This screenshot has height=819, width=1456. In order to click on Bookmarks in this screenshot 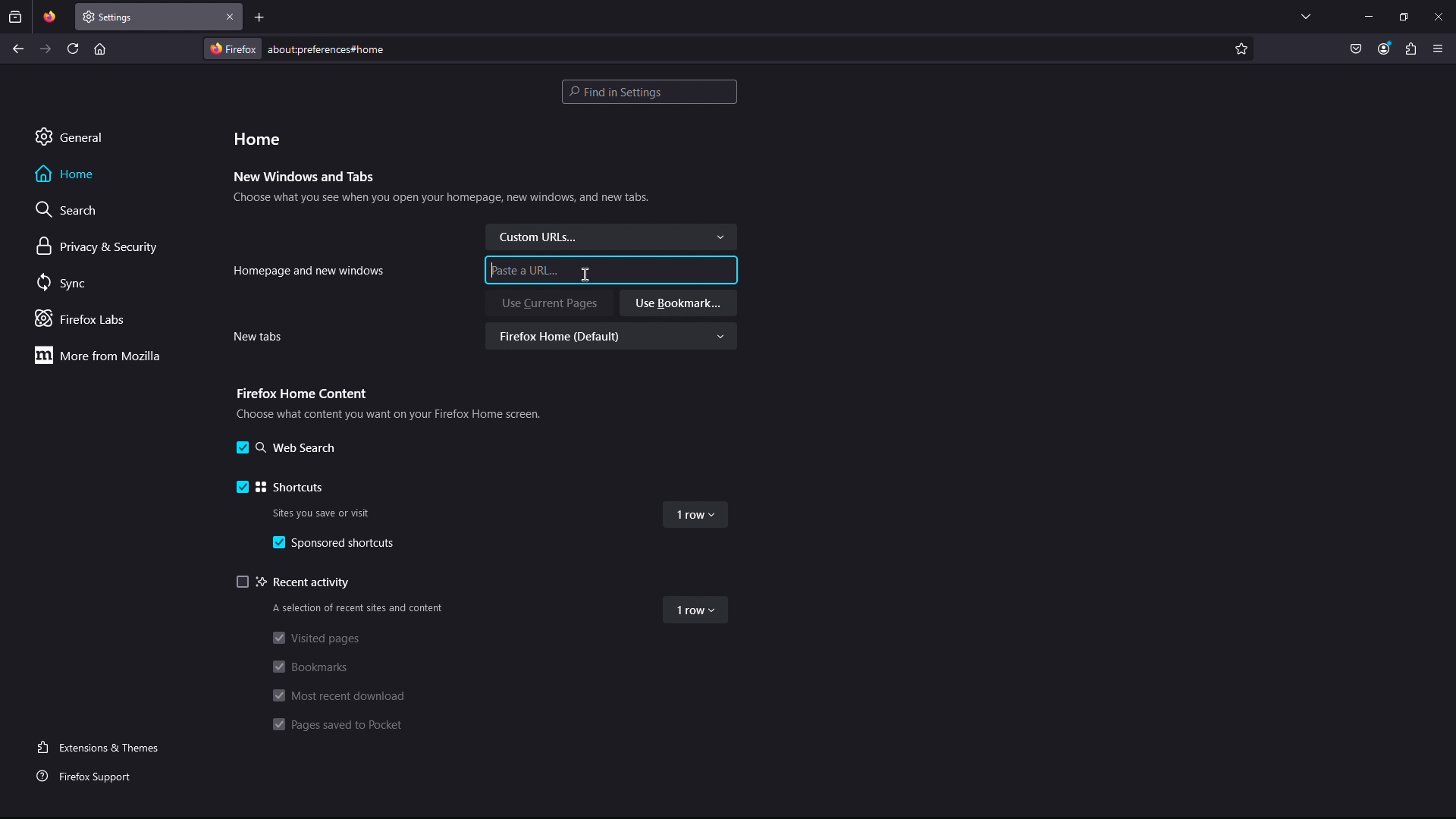, I will do `click(312, 667)`.